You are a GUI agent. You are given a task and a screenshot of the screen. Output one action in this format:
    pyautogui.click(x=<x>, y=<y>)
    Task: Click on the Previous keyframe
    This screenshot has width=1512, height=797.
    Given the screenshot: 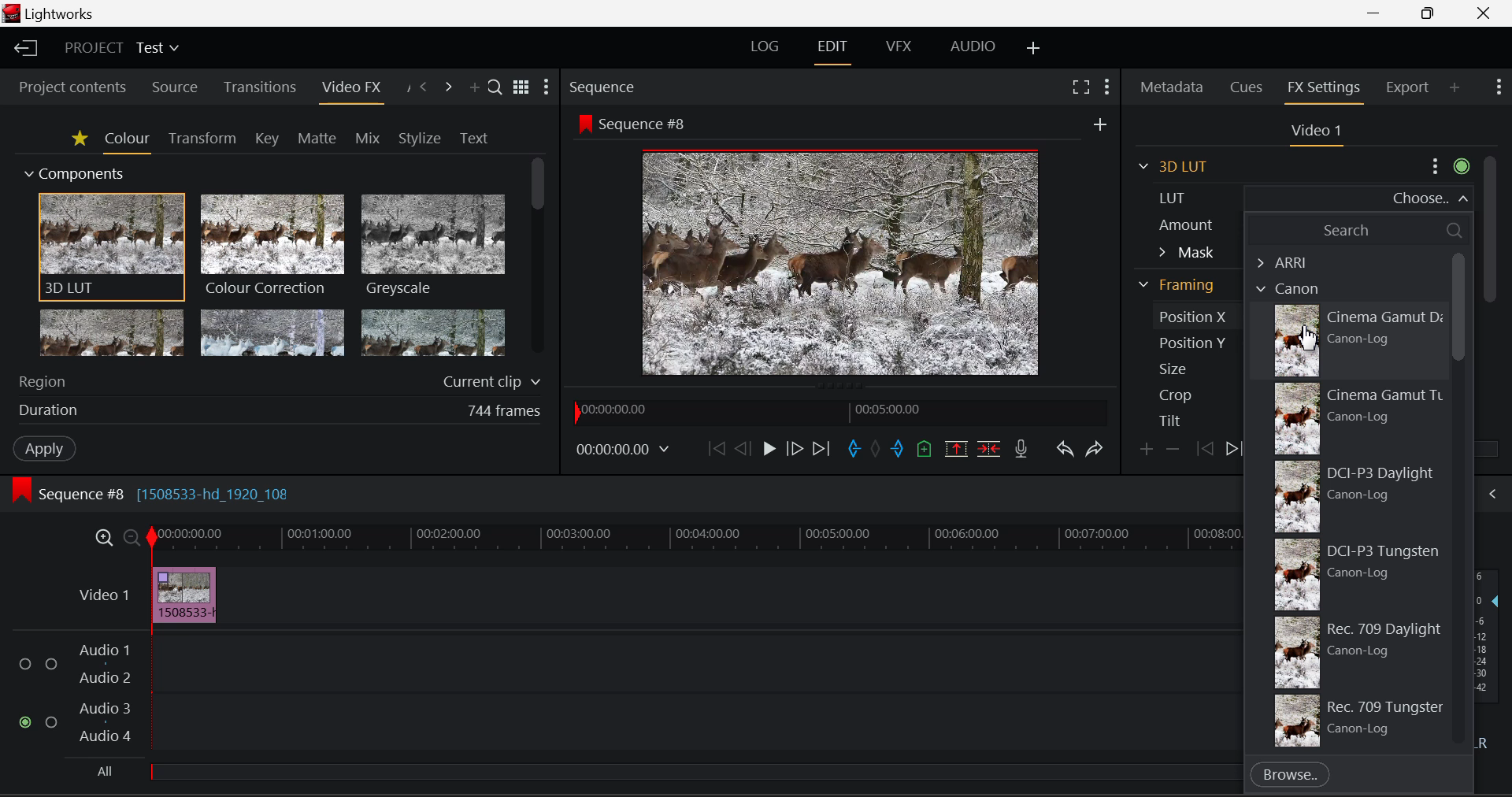 What is the action you would take?
    pyautogui.click(x=1205, y=450)
    